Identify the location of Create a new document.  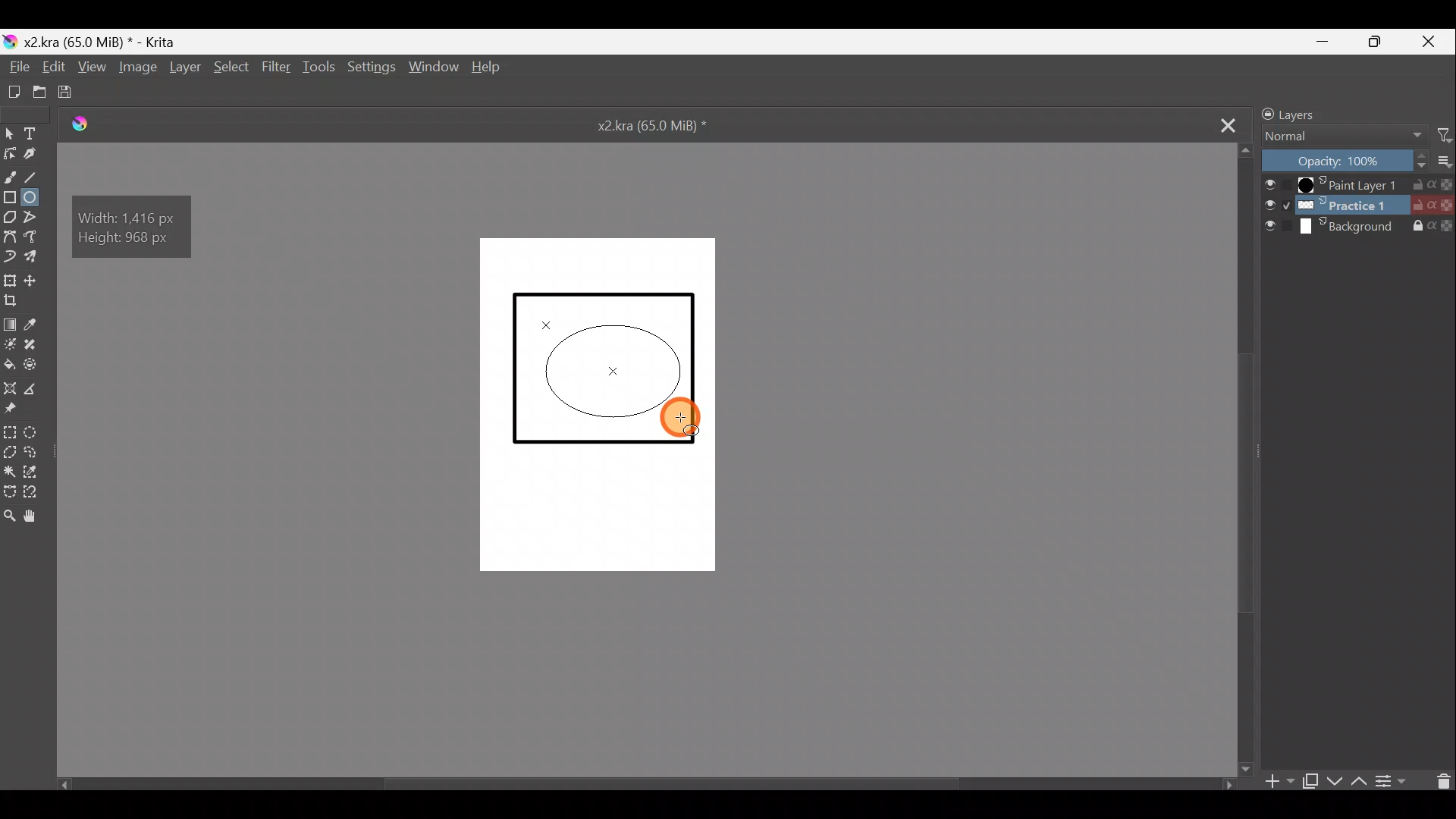
(14, 89).